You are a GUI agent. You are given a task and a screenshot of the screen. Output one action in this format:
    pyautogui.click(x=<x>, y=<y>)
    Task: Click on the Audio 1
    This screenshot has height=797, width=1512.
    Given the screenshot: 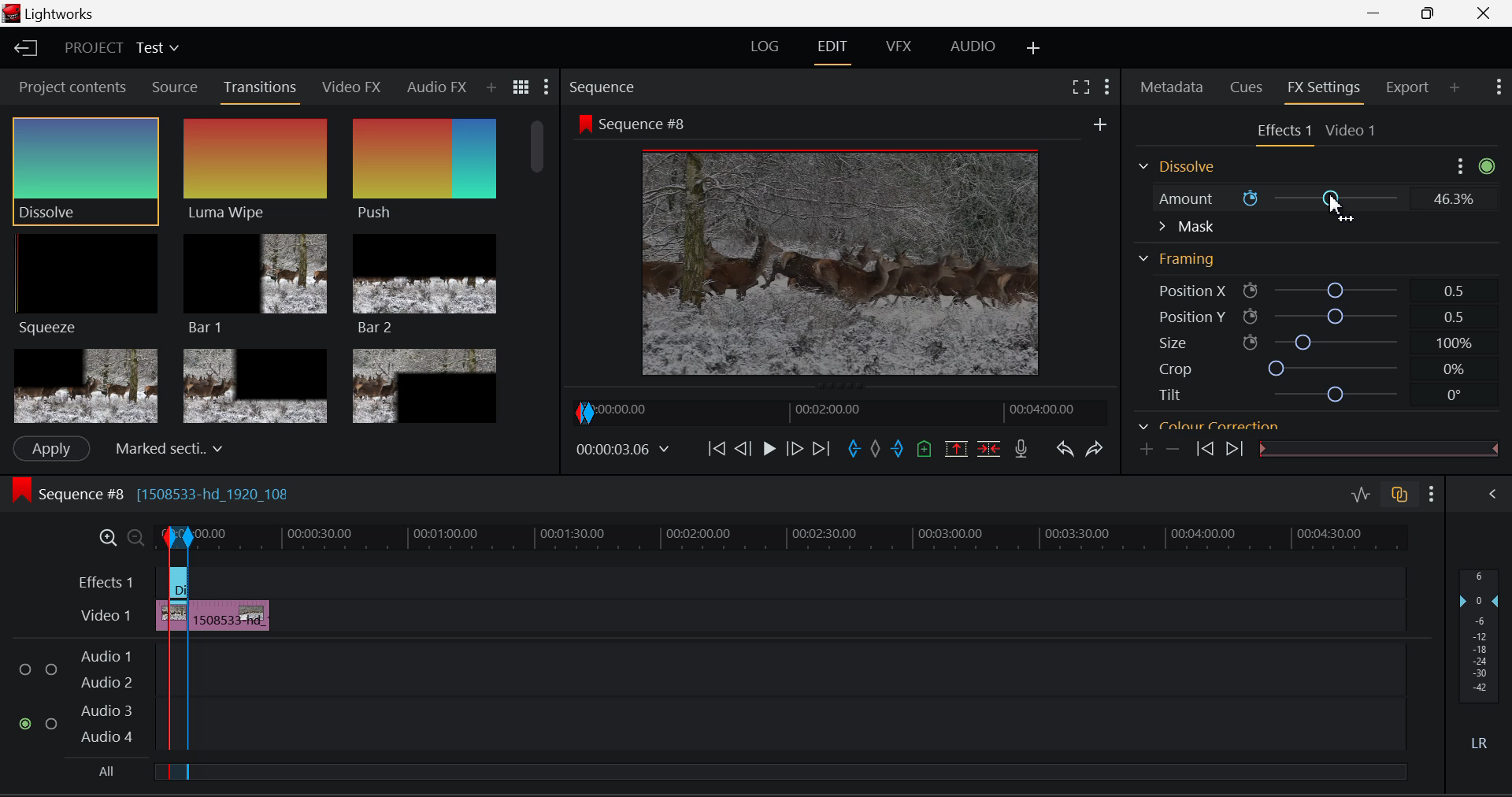 What is the action you would take?
    pyautogui.click(x=106, y=651)
    